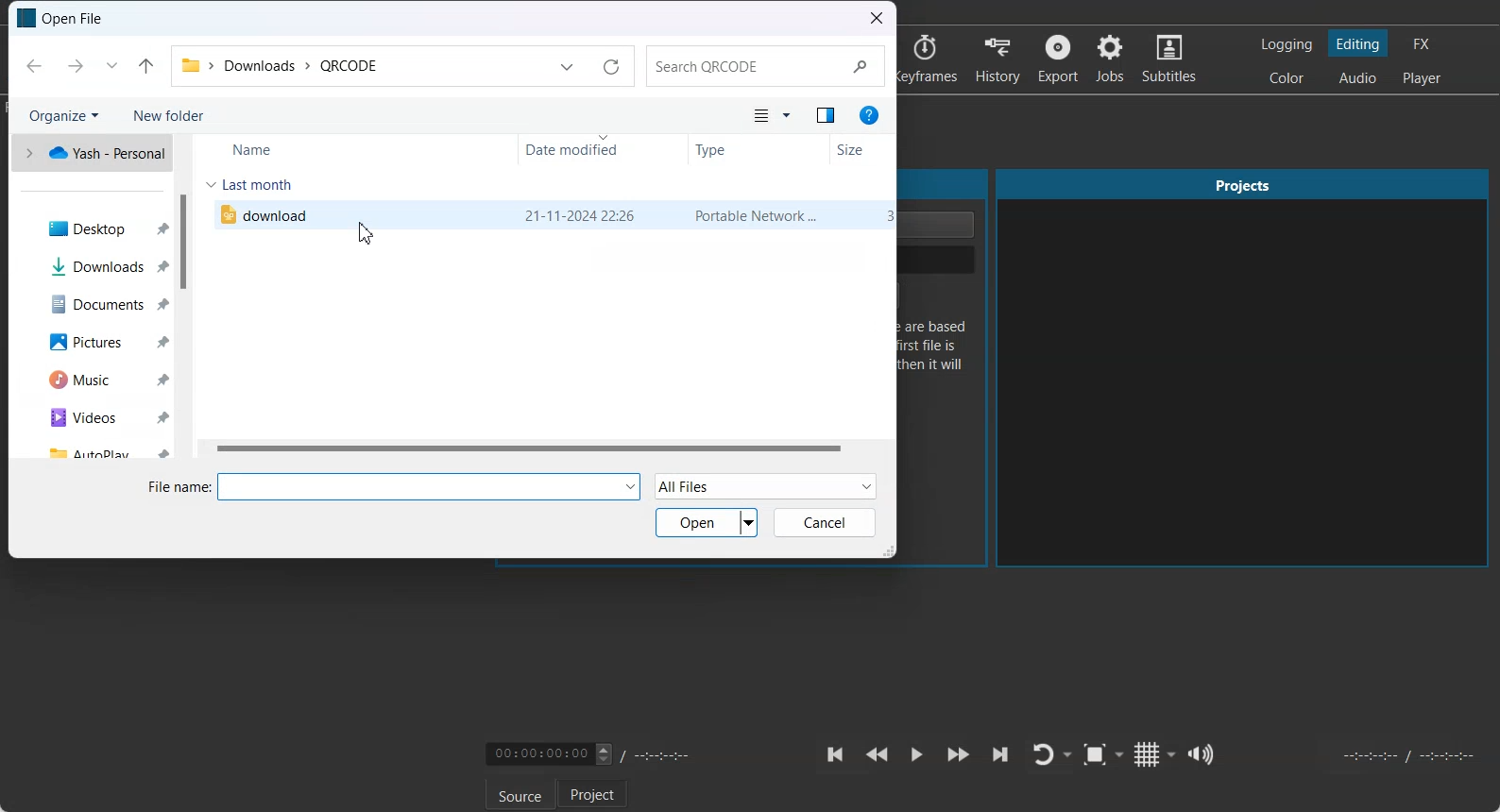  What do you see at coordinates (1359, 78) in the screenshot?
I see `Switching to the Audio layout` at bounding box center [1359, 78].